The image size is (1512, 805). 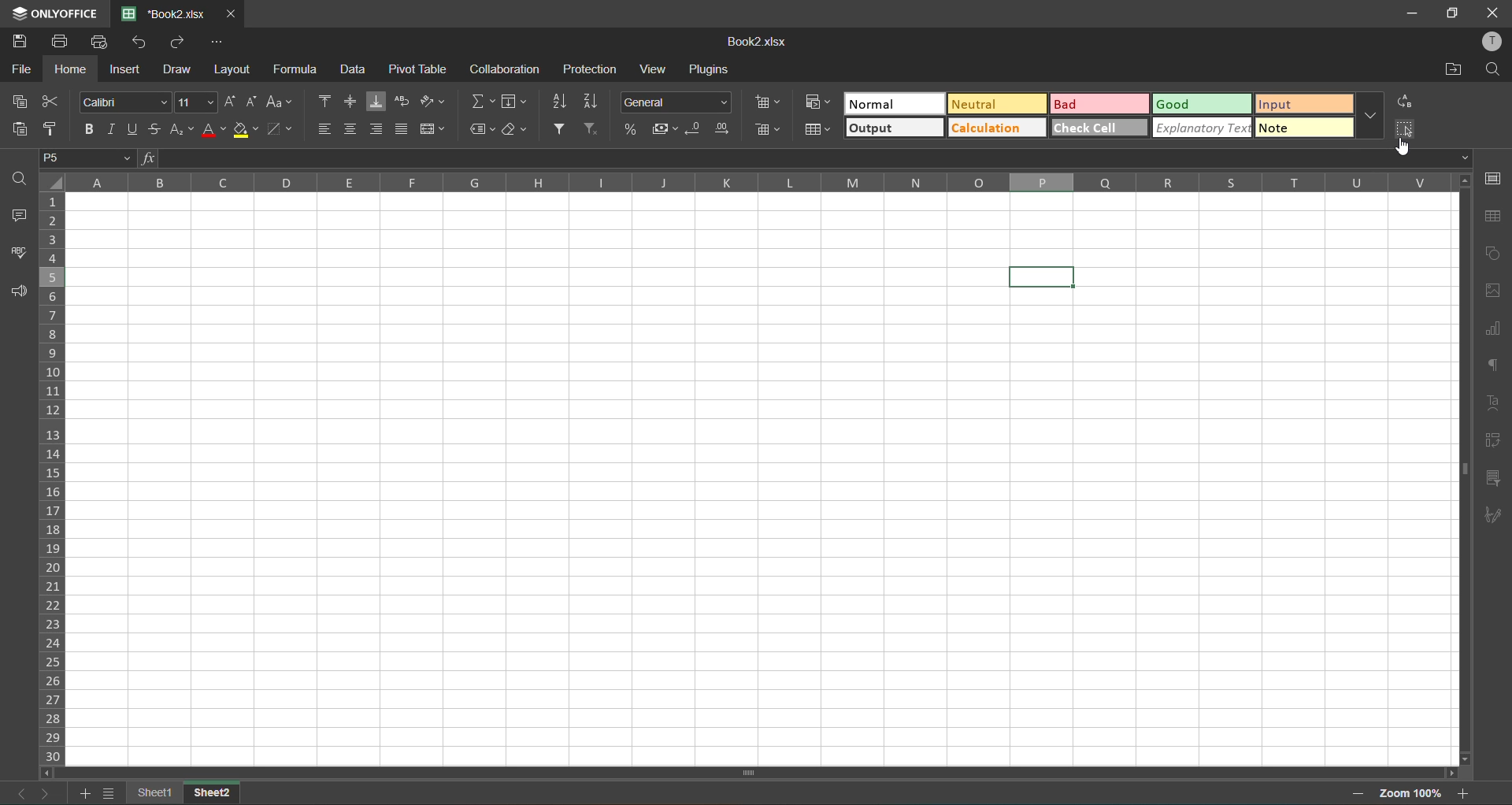 What do you see at coordinates (353, 130) in the screenshot?
I see `align center` at bounding box center [353, 130].